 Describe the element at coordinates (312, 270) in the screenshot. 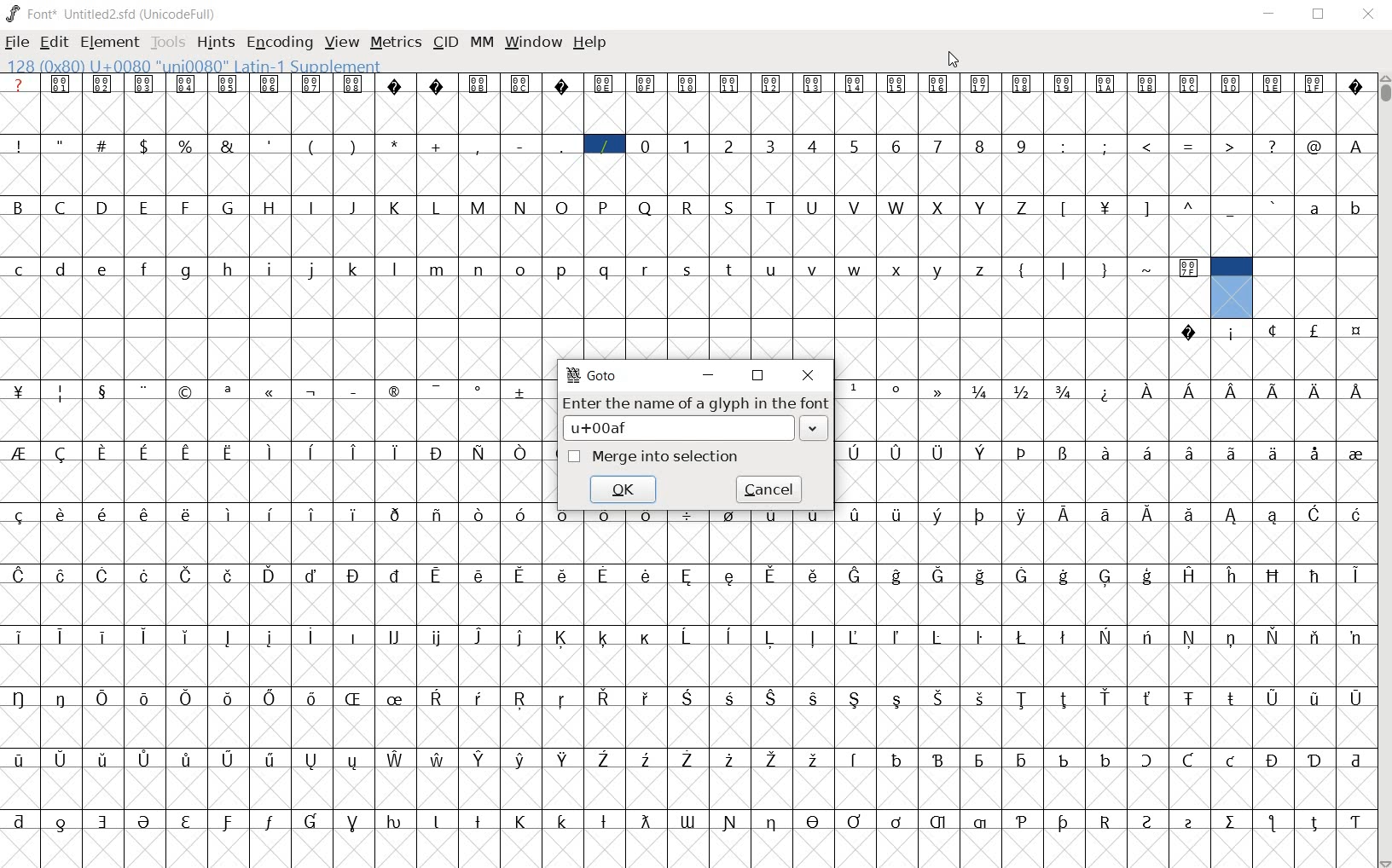

I see `j` at that location.